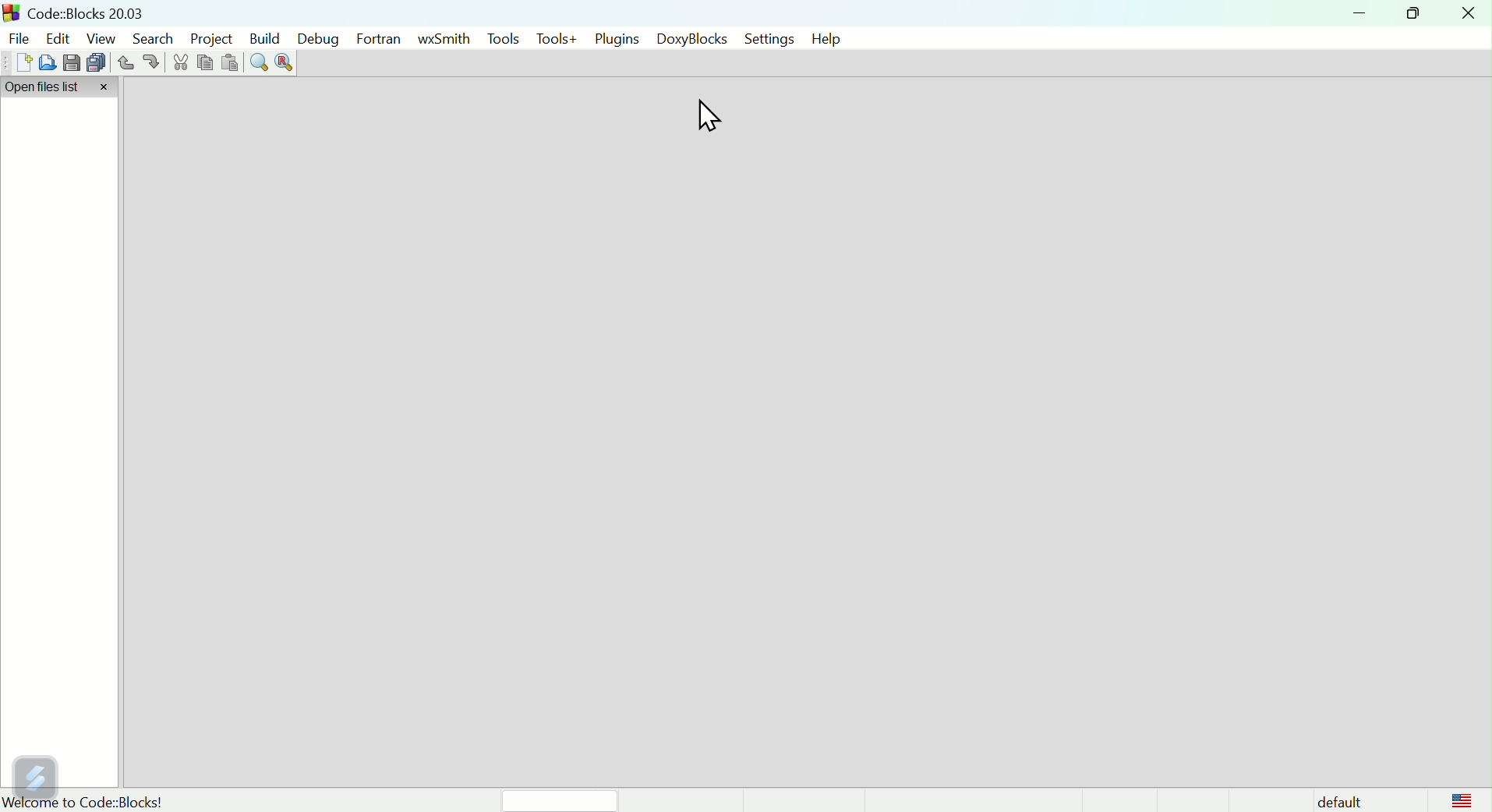  Describe the element at coordinates (380, 40) in the screenshot. I see `Fortran` at that location.